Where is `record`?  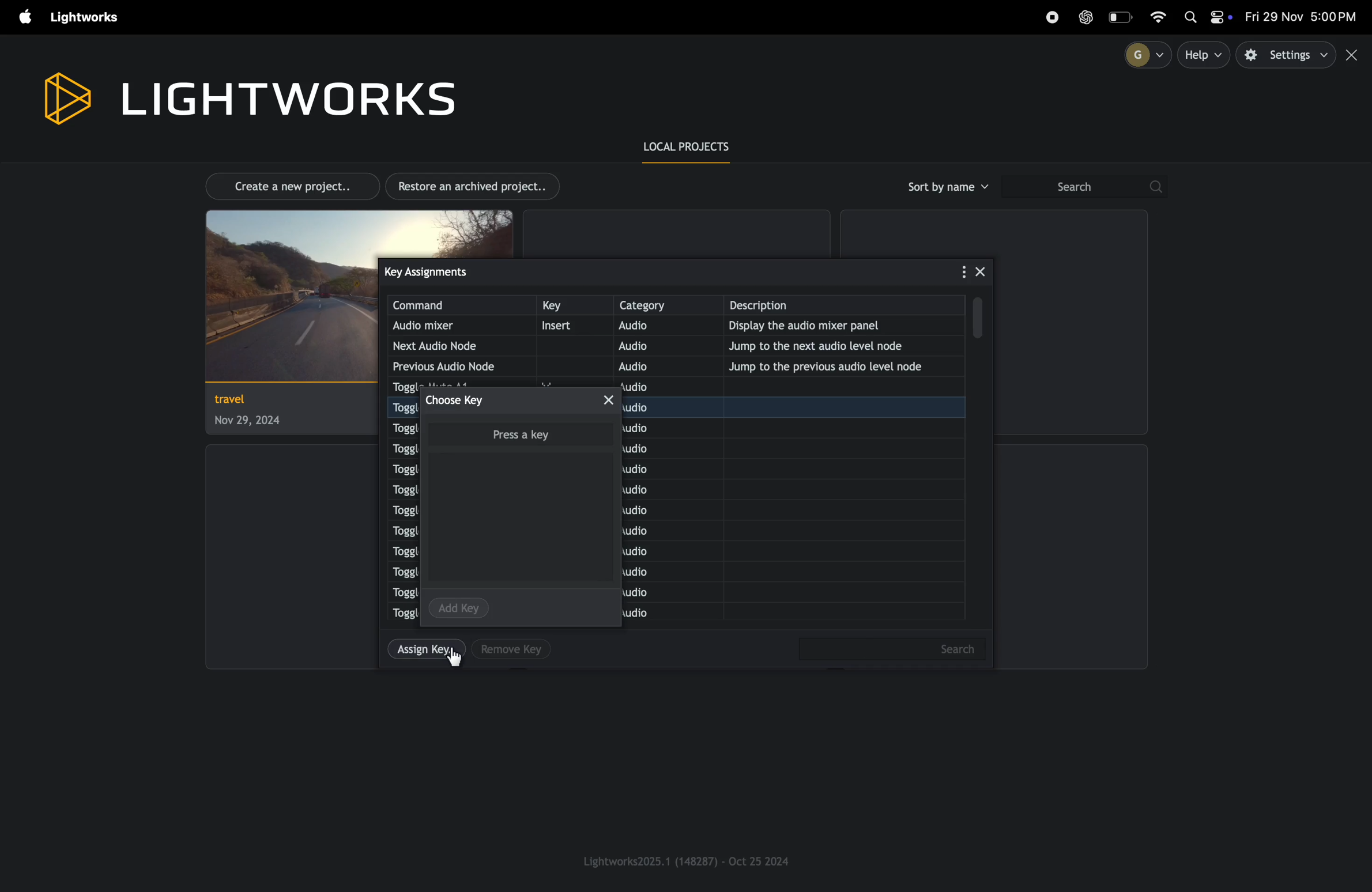 record is located at coordinates (1051, 17).